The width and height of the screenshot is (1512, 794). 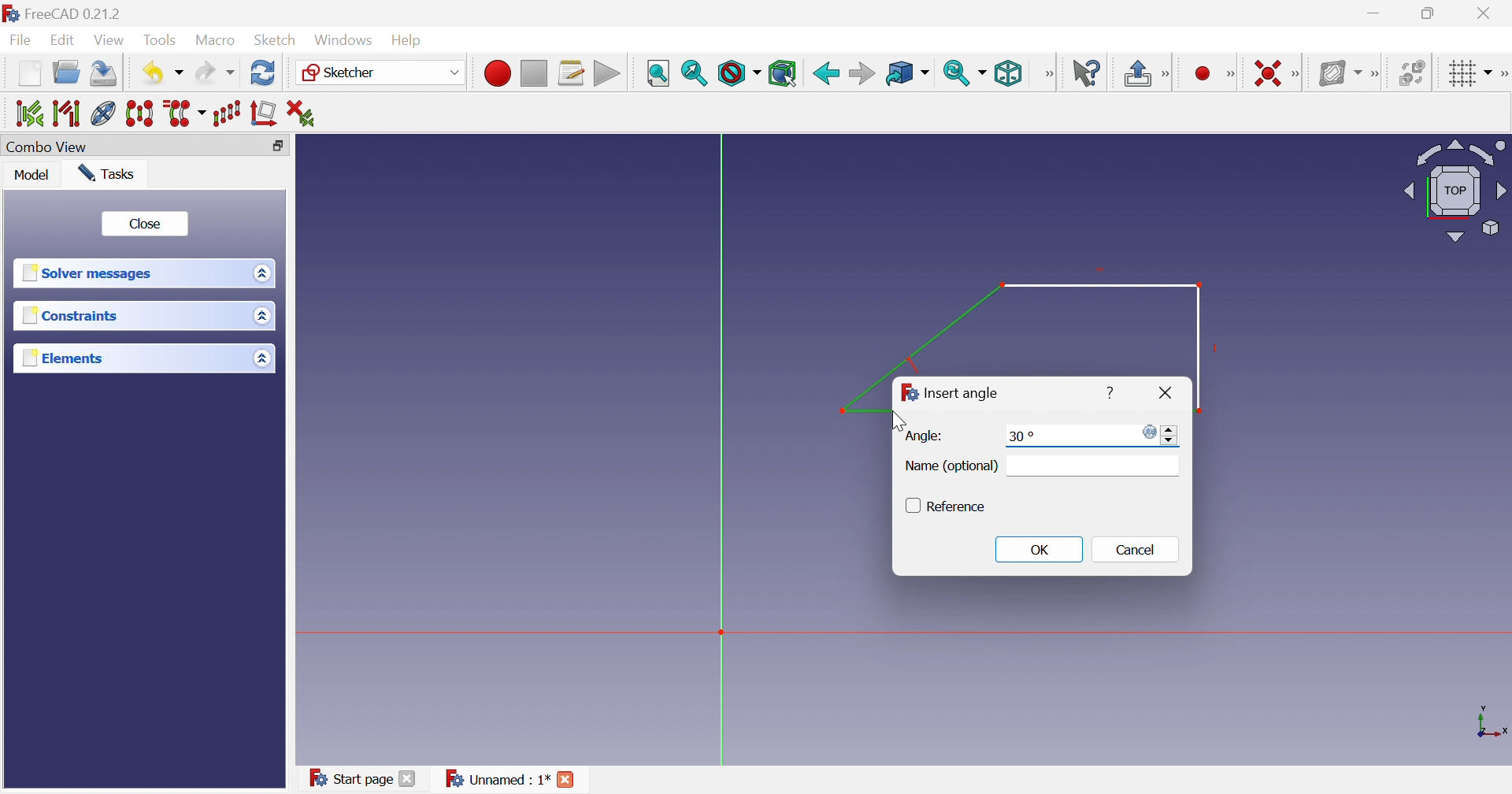 What do you see at coordinates (825, 72) in the screenshot?
I see `Back` at bounding box center [825, 72].